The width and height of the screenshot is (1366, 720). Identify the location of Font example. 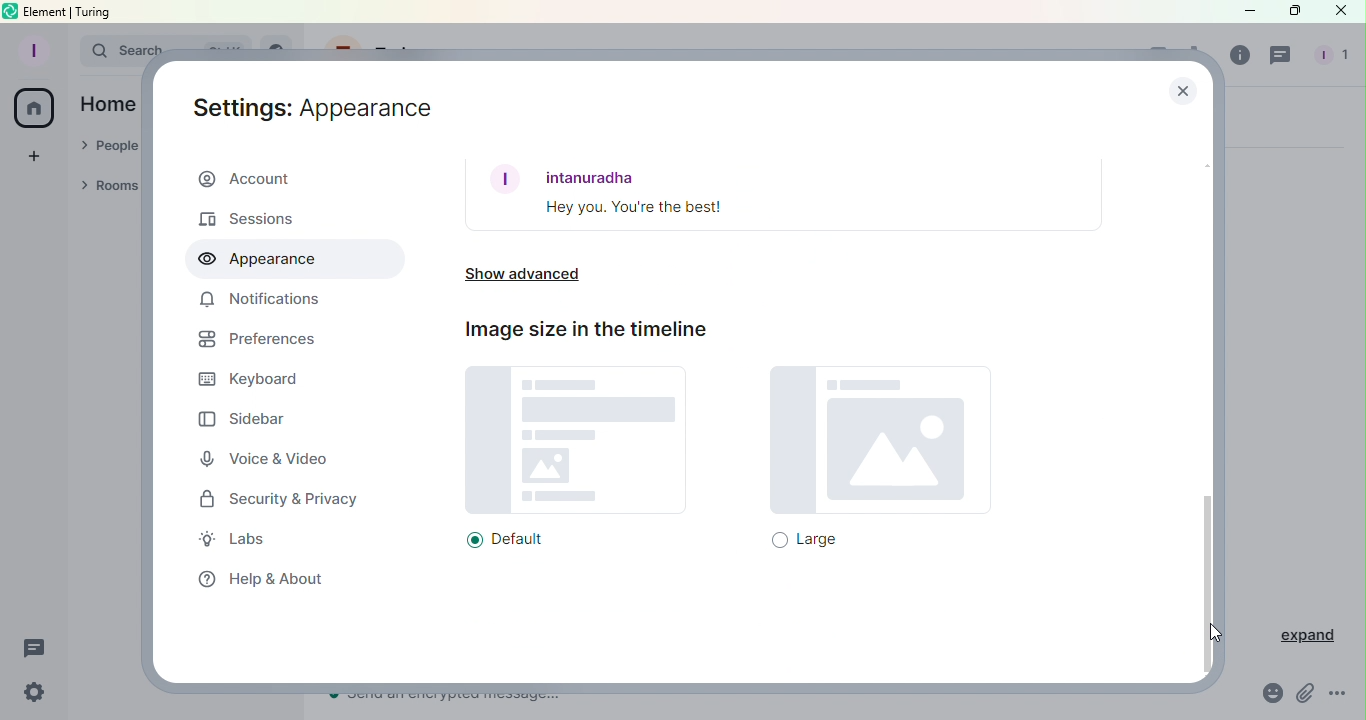
(785, 195).